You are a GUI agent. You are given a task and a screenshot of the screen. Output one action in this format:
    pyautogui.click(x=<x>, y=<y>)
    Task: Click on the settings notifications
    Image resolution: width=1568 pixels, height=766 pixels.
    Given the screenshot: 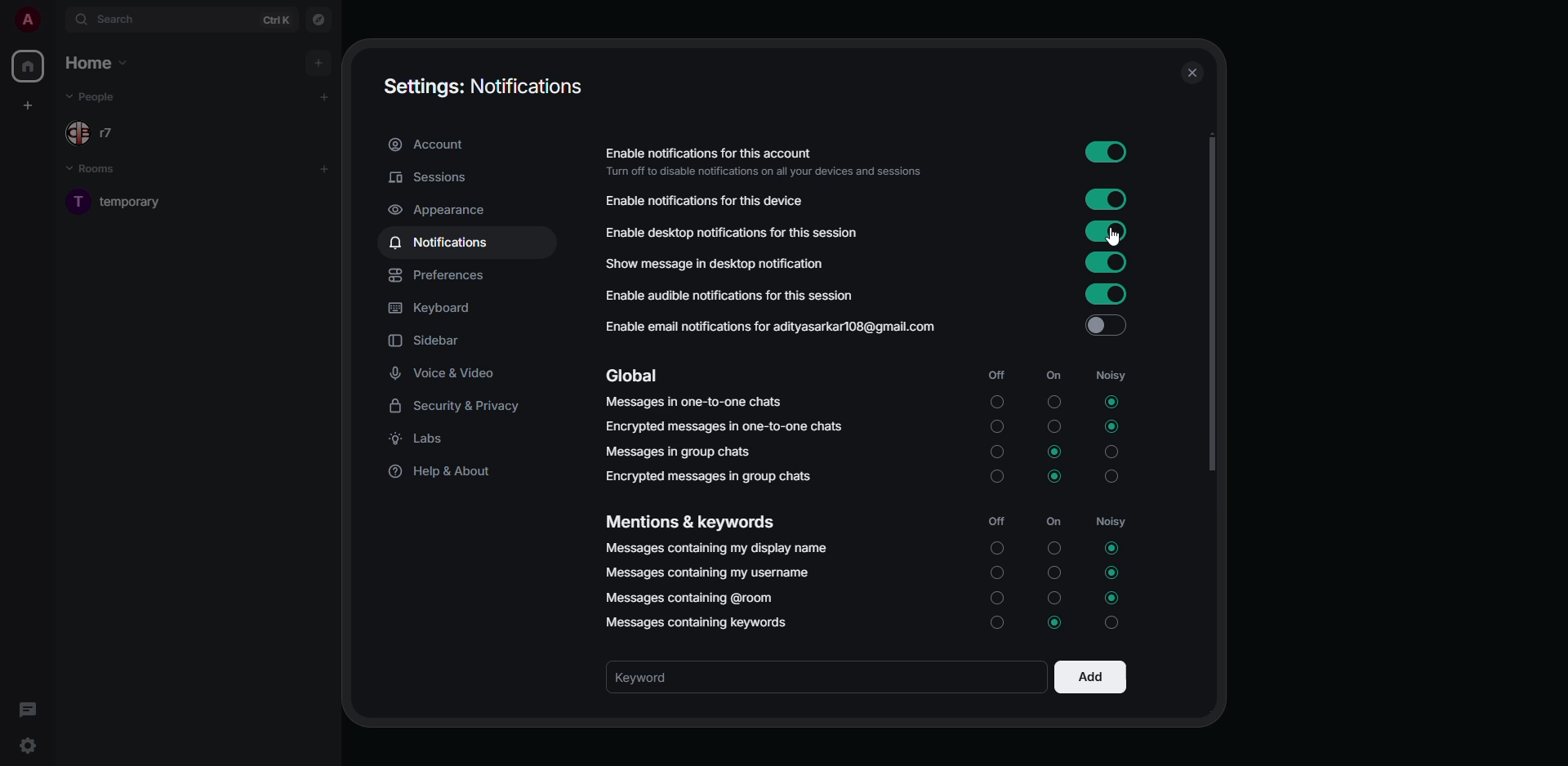 What is the action you would take?
    pyautogui.click(x=483, y=89)
    